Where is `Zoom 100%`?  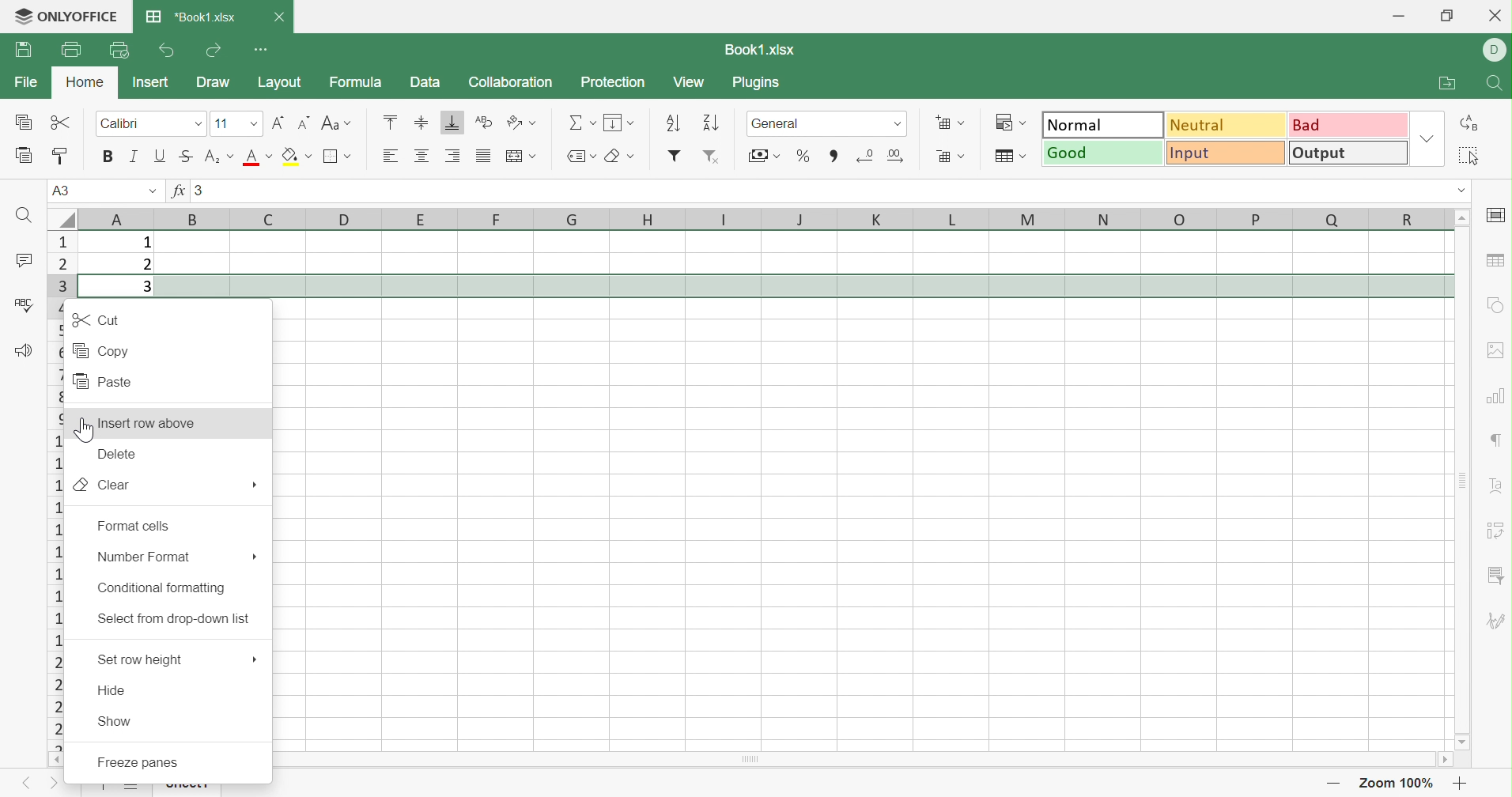 Zoom 100% is located at coordinates (1399, 783).